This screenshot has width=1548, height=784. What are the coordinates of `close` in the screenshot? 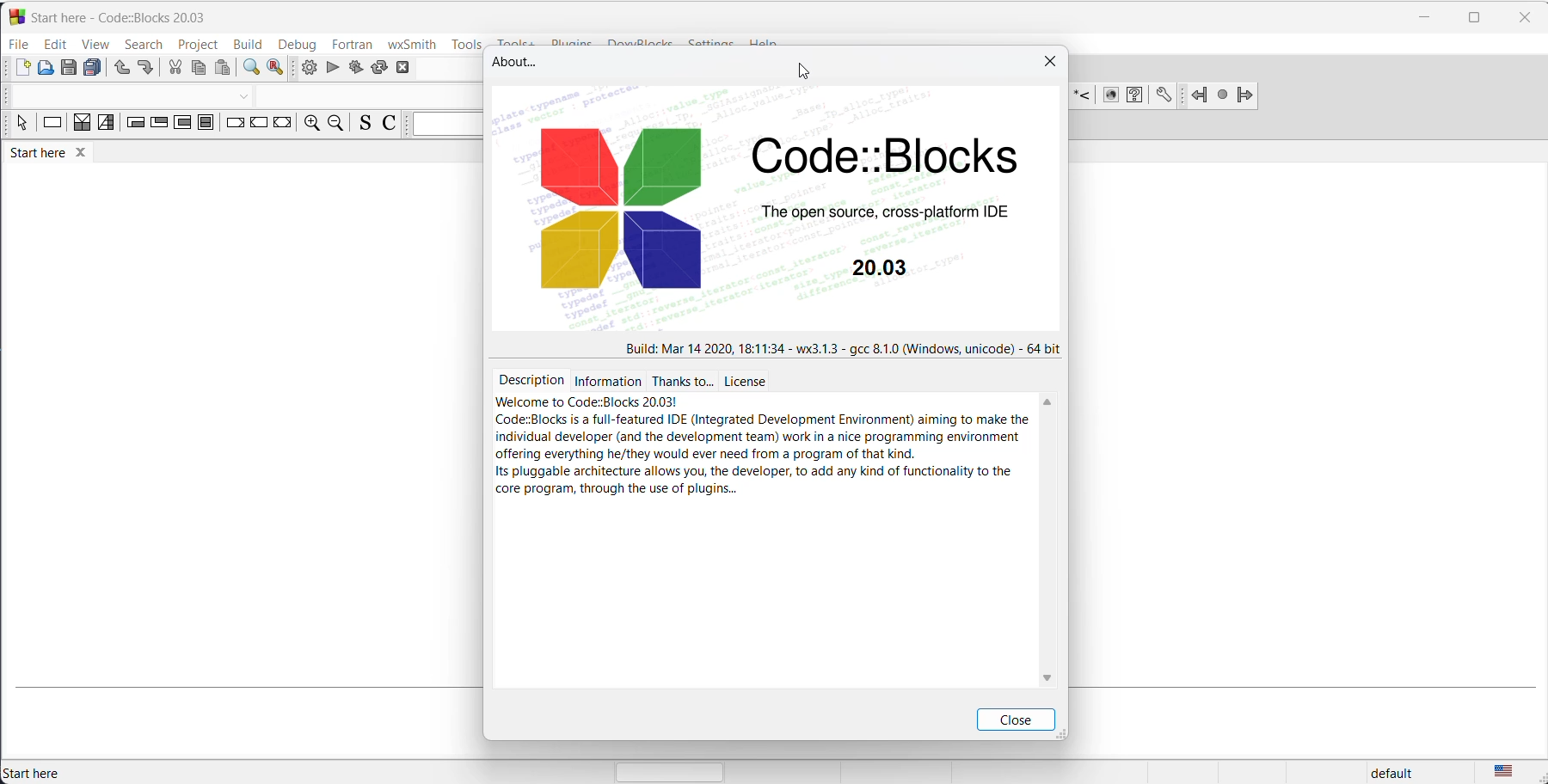 It's located at (1051, 60).